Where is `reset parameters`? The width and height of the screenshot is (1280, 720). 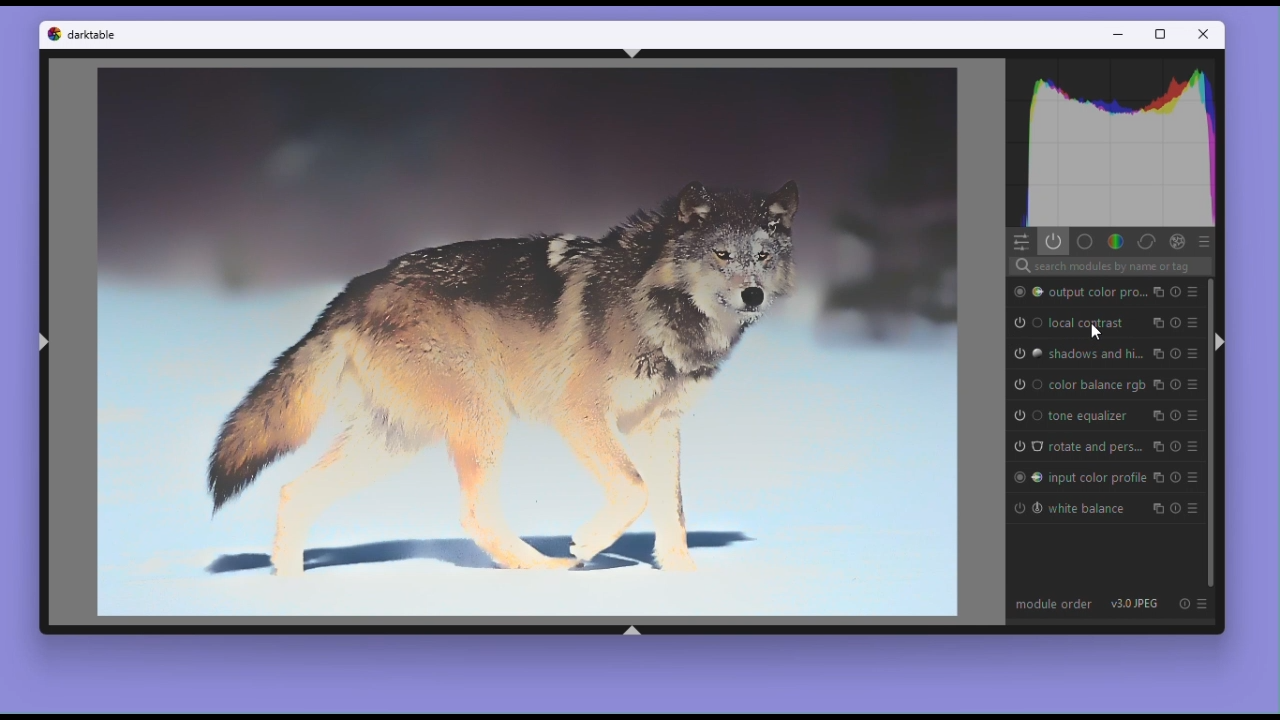
reset parameters is located at coordinates (1174, 476).